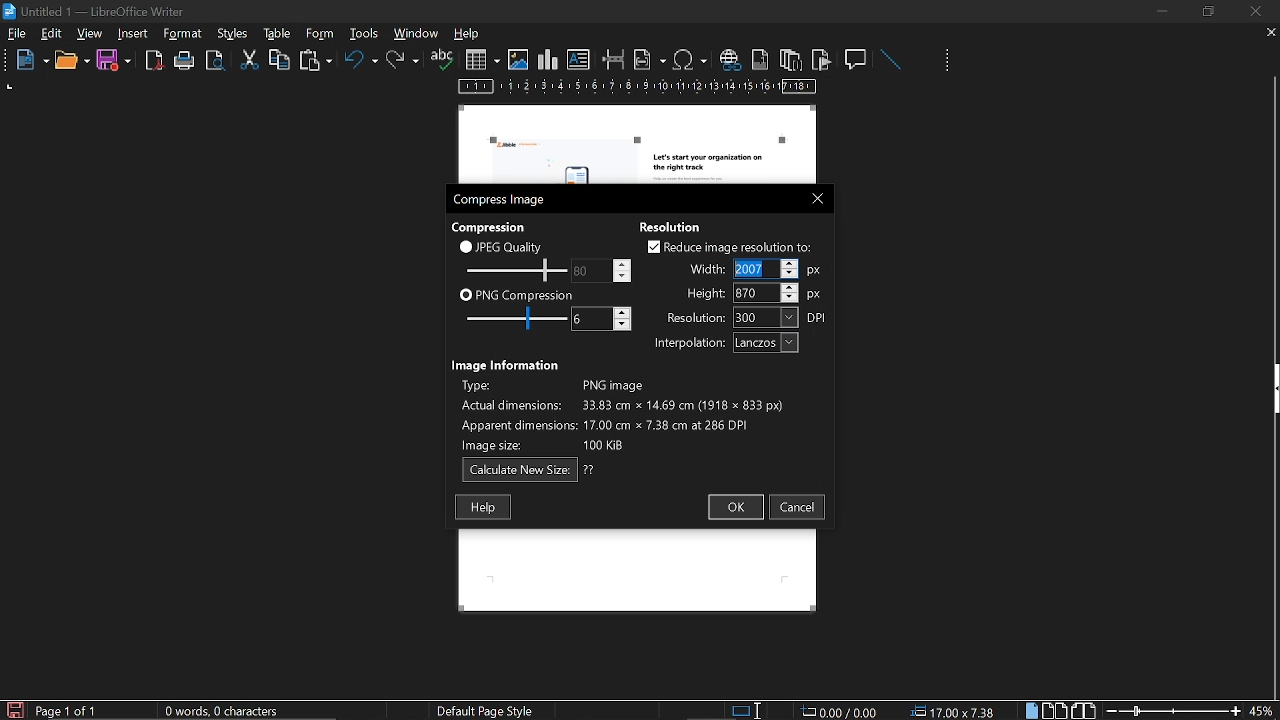 The height and width of the screenshot is (720, 1280). I want to click on insert chart, so click(548, 60).